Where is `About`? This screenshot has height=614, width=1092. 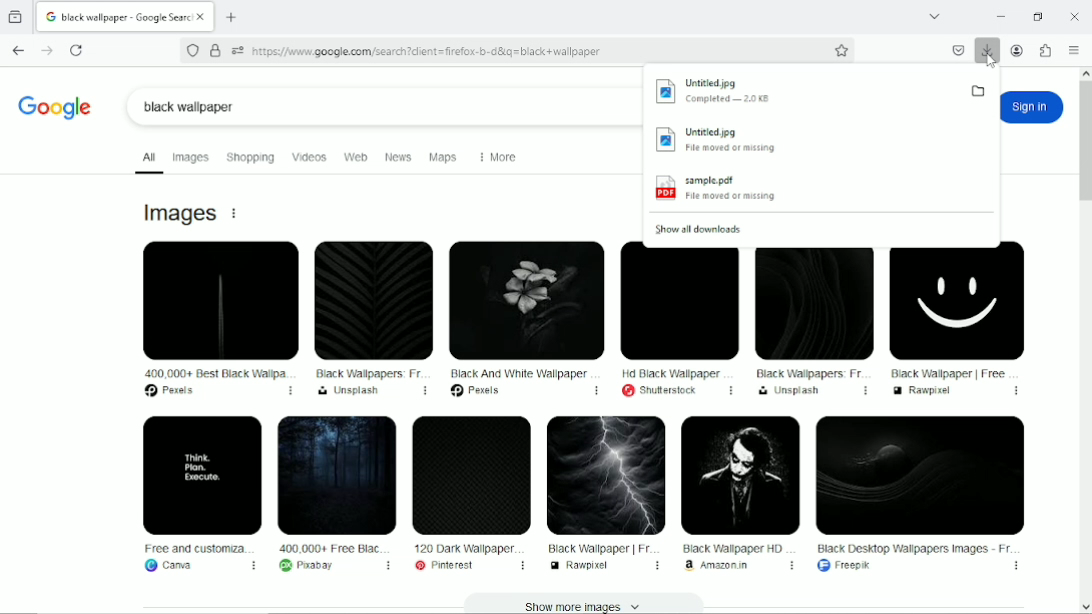 About is located at coordinates (236, 214).